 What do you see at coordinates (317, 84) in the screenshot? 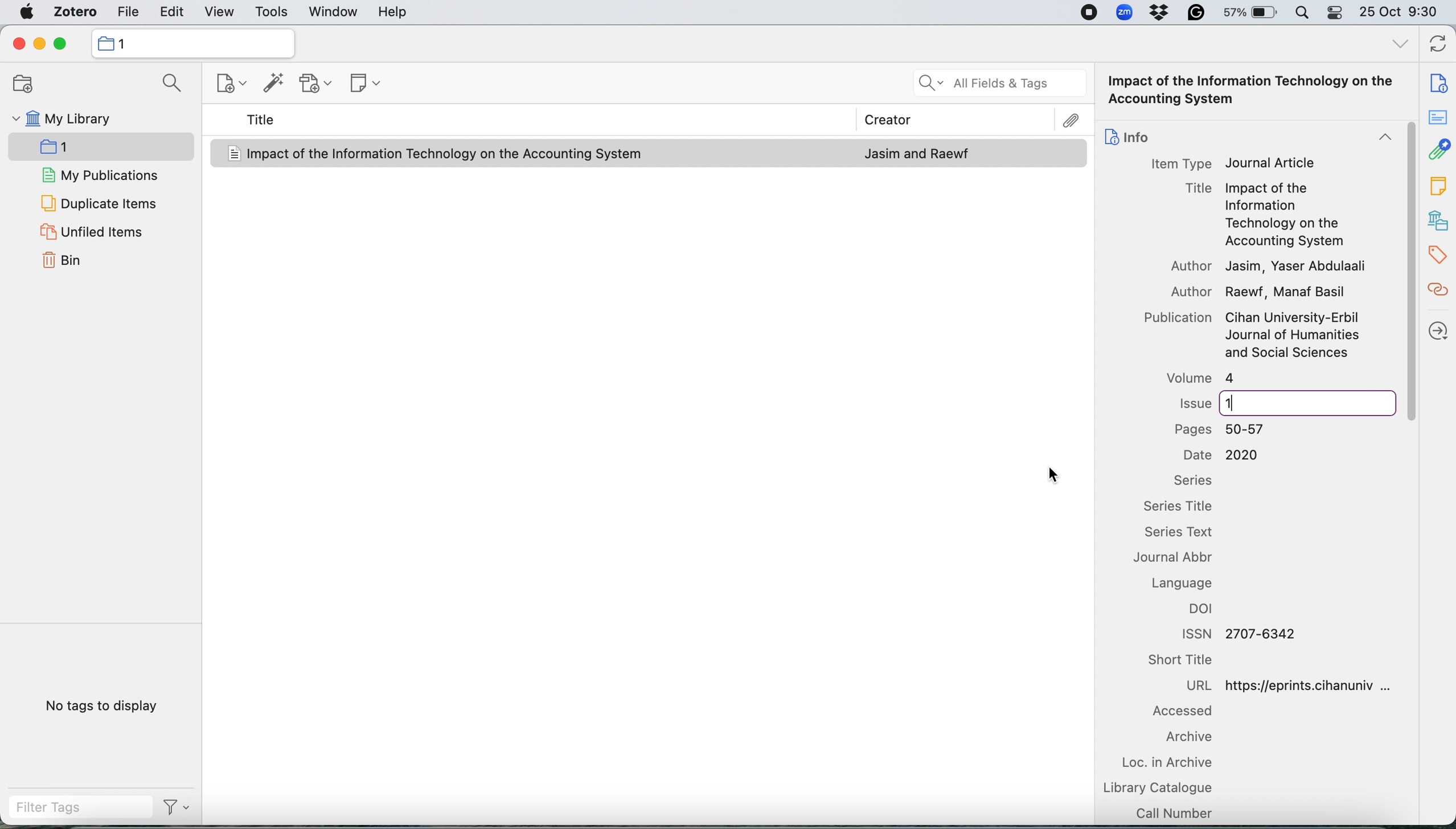
I see `add attachment` at bounding box center [317, 84].